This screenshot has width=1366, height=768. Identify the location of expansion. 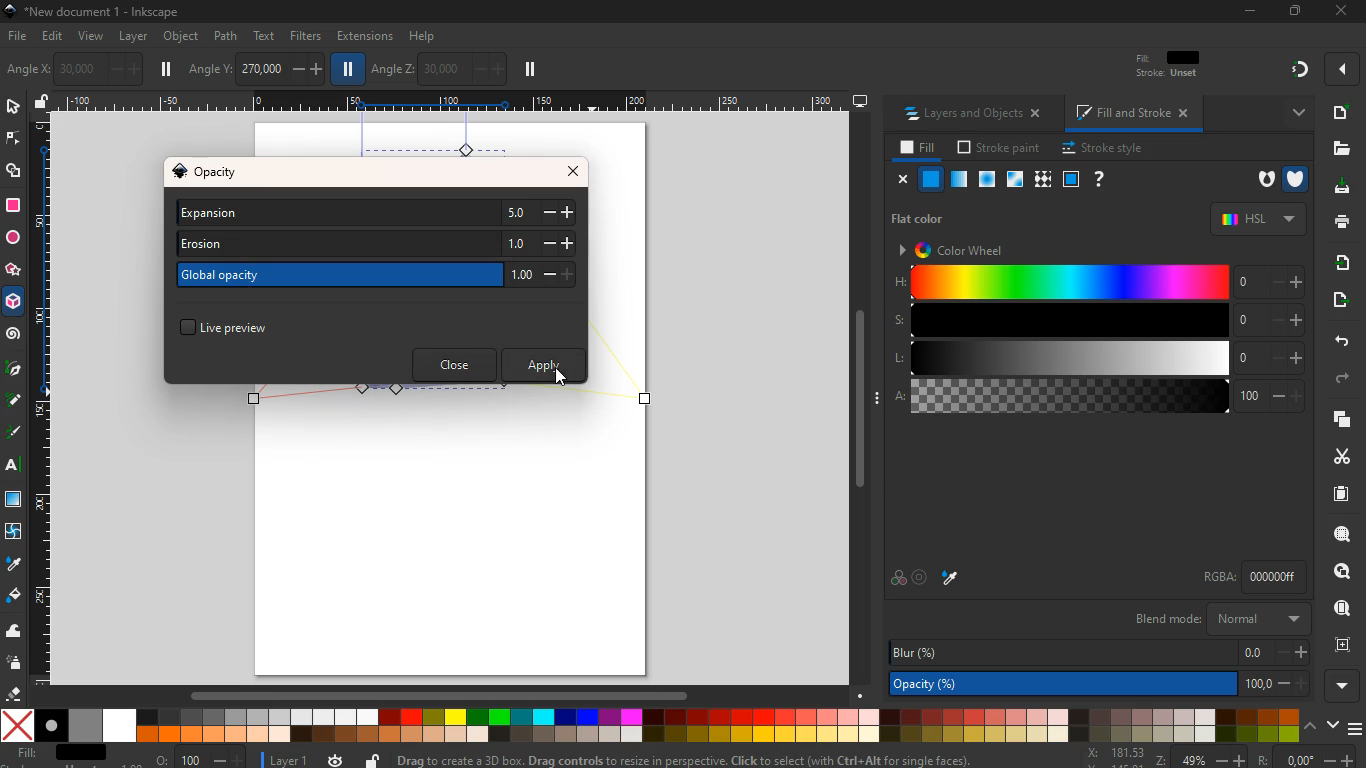
(376, 213).